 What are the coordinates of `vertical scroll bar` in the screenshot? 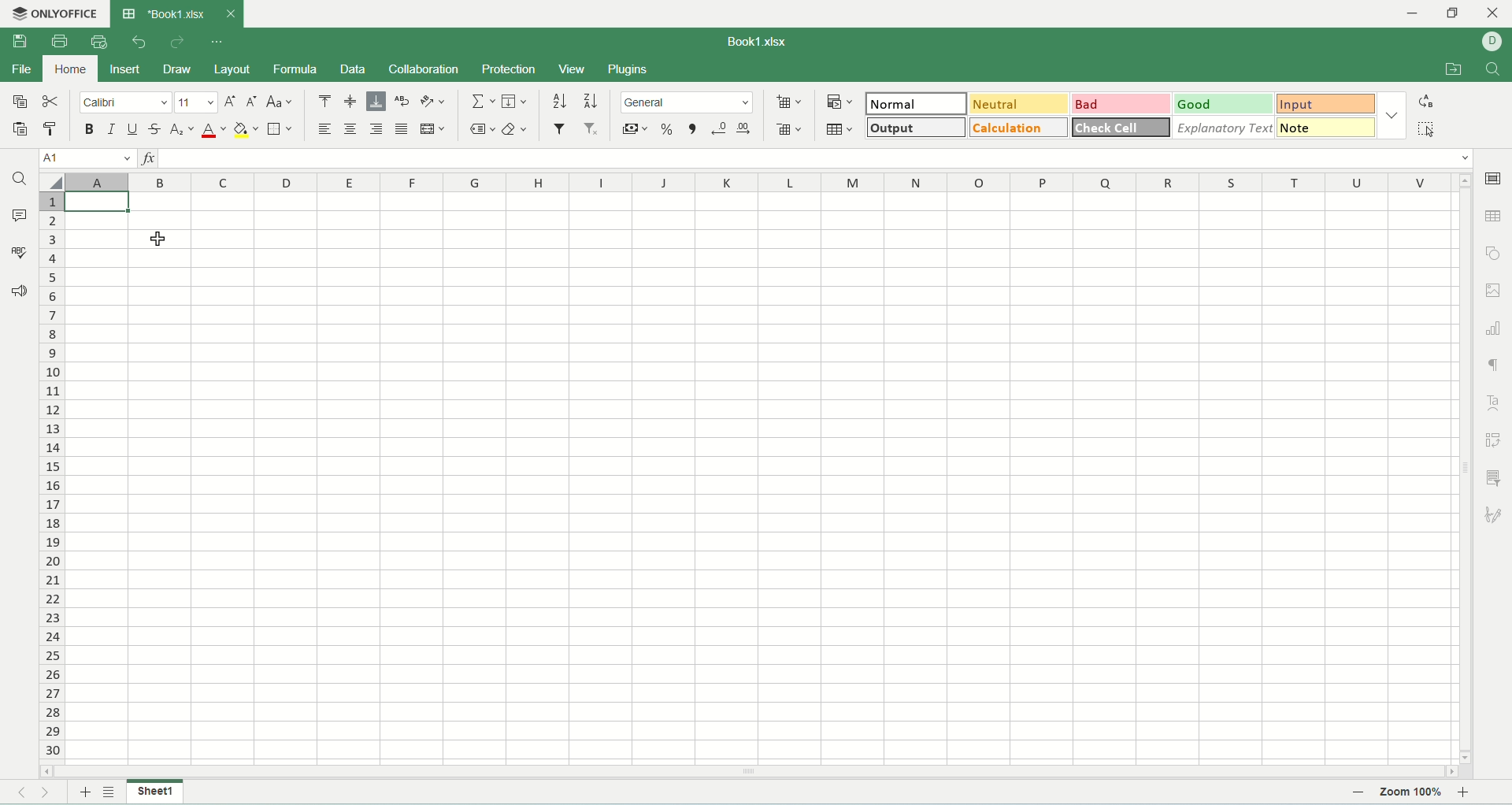 It's located at (1466, 468).